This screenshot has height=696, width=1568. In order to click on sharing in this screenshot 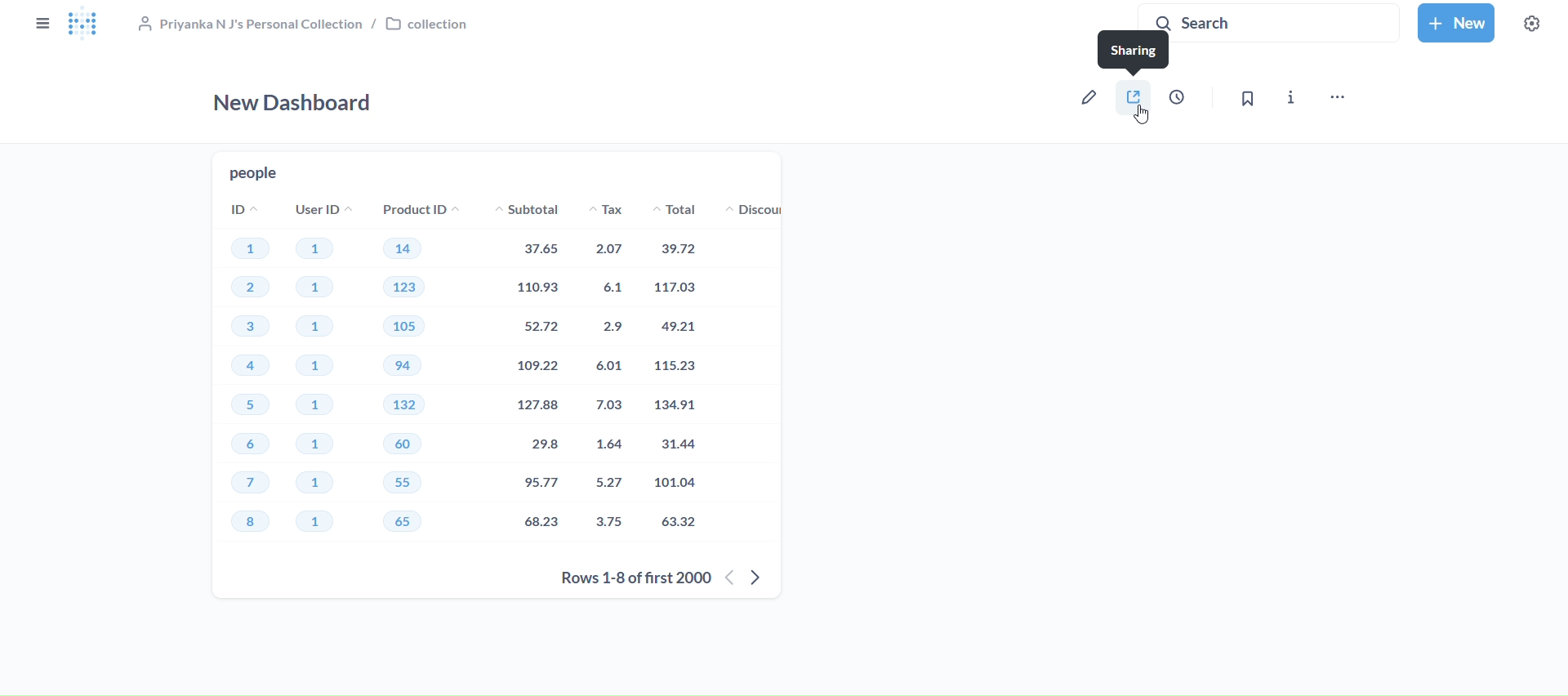, I will do `click(1134, 50)`.